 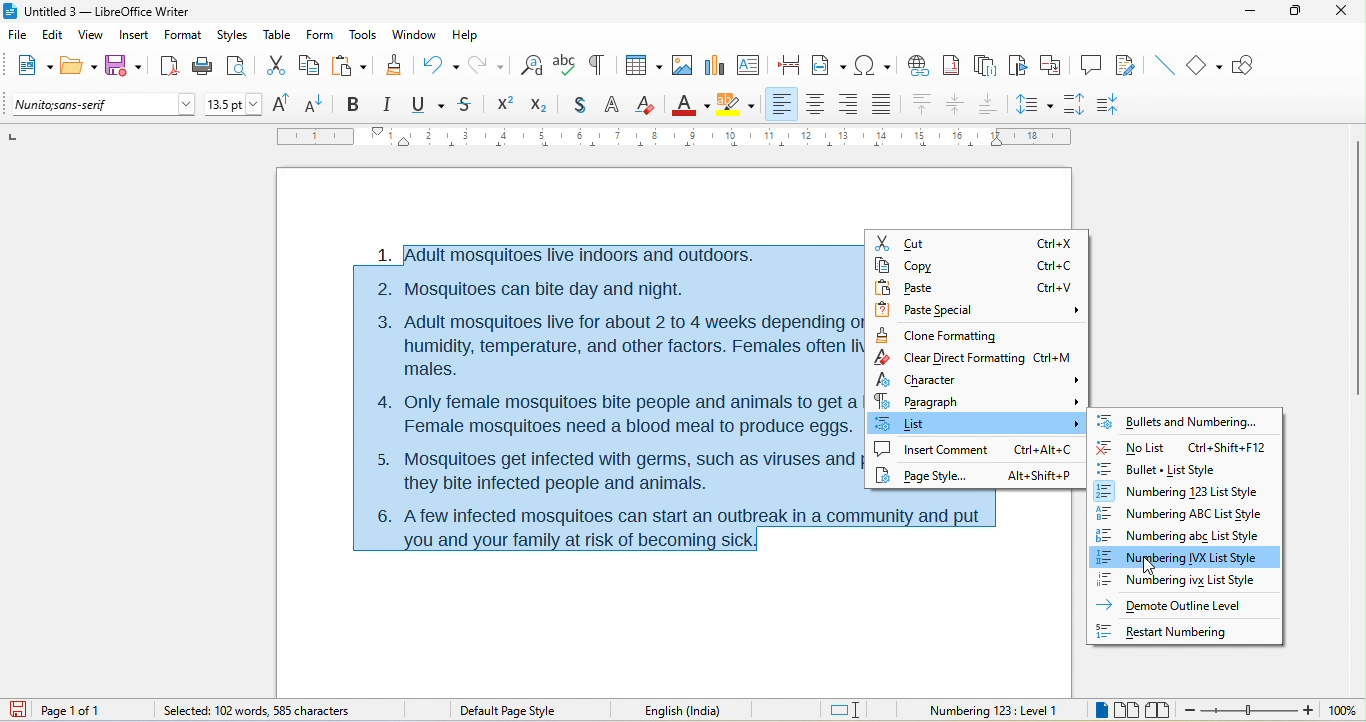 I want to click on redo, so click(x=489, y=64).